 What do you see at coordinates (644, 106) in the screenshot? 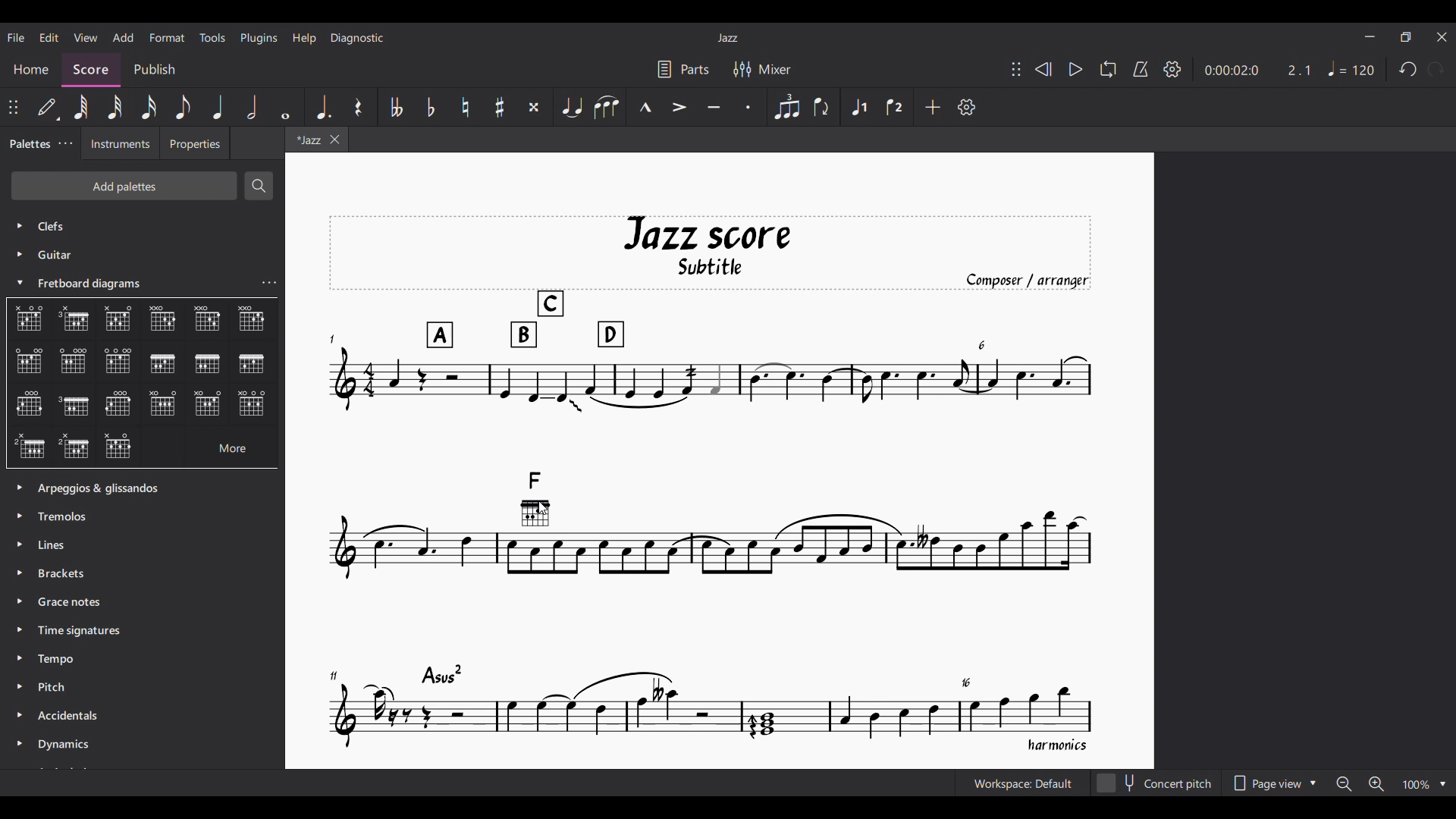
I see `Marcato` at bounding box center [644, 106].